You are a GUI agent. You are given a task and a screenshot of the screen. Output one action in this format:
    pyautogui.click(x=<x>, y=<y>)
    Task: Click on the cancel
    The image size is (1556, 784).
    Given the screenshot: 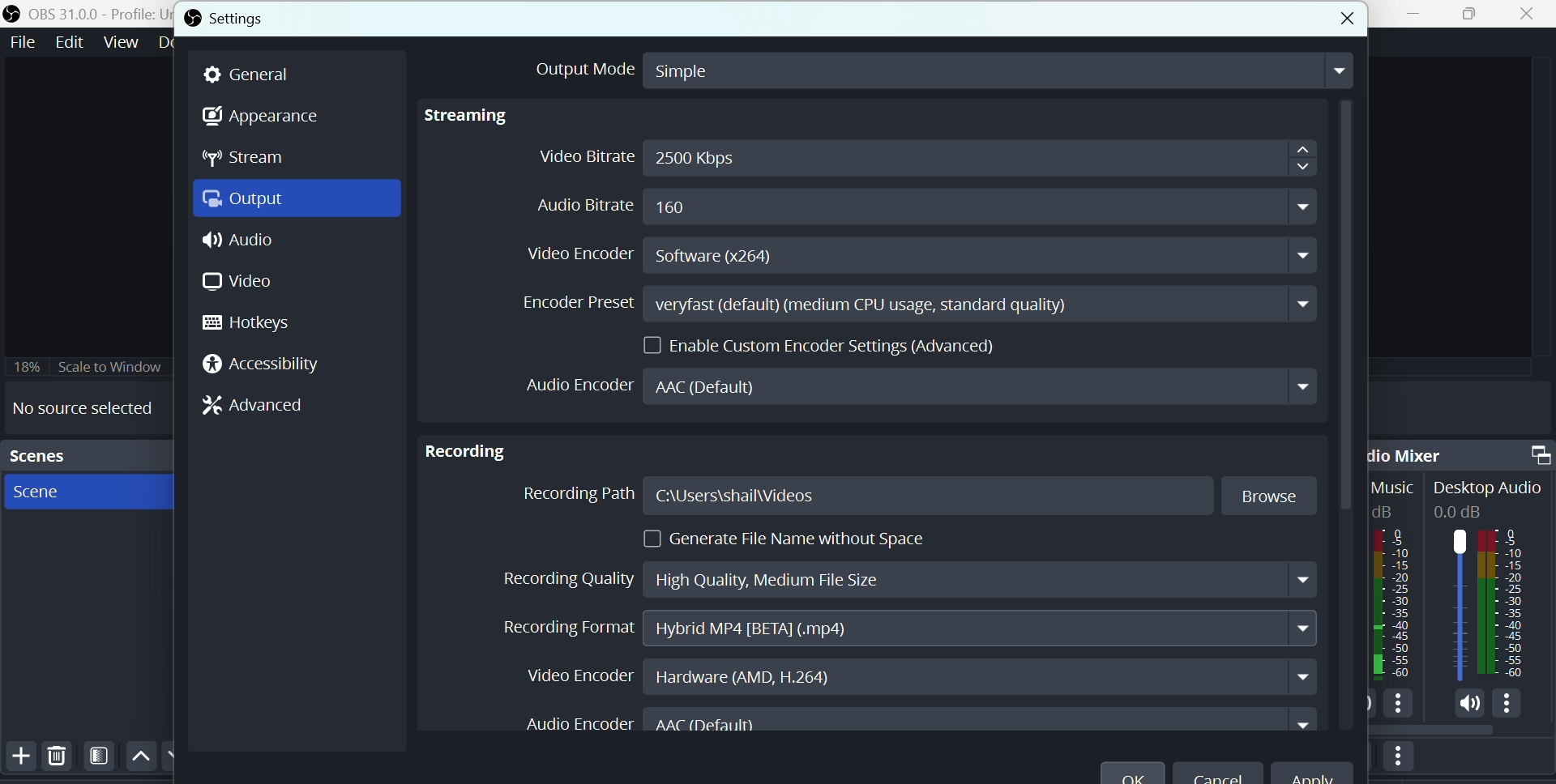 What is the action you would take?
    pyautogui.click(x=1220, y=770)
    